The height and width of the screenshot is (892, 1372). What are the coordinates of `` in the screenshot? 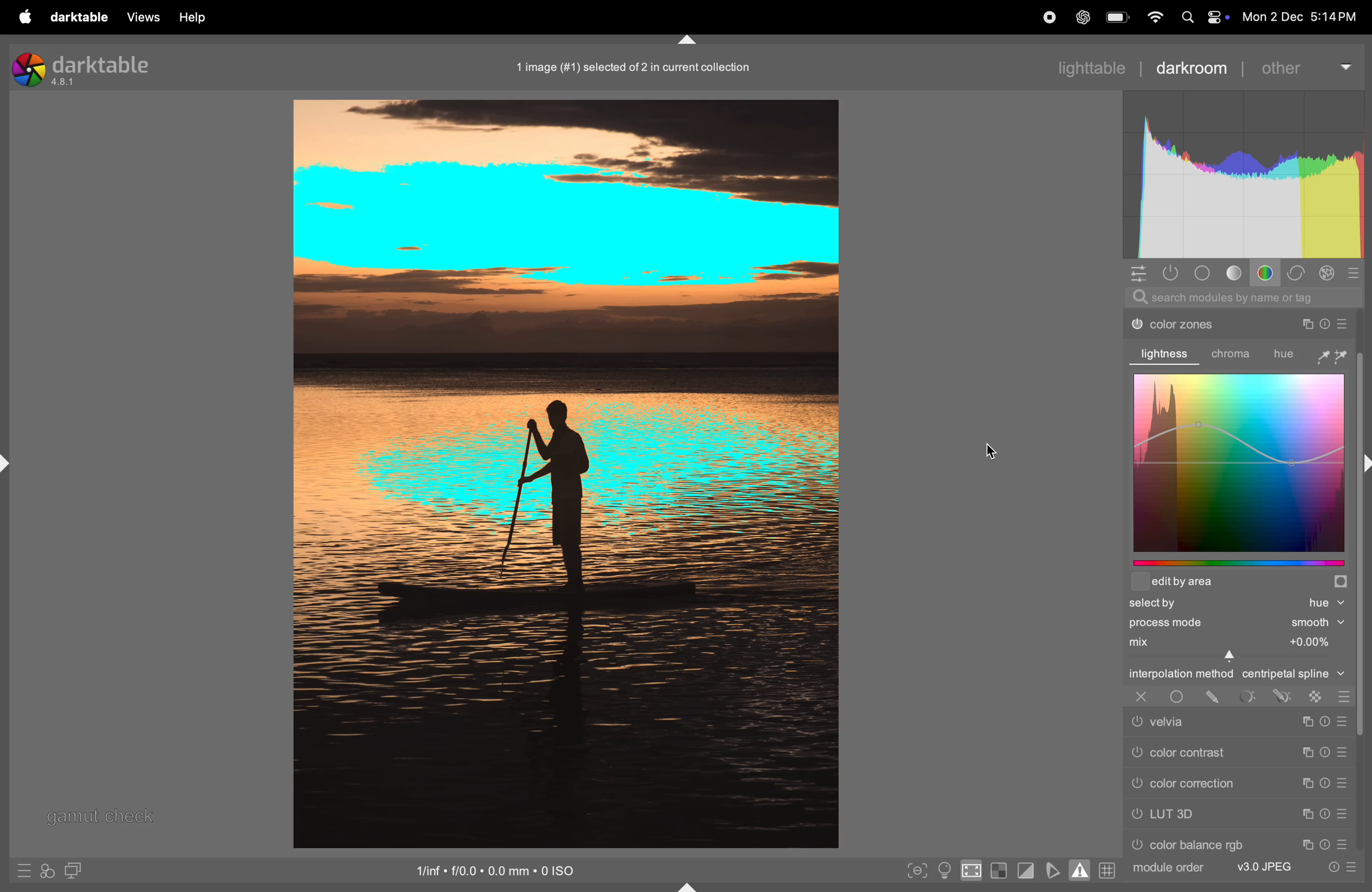 It's located at (1283, 696).